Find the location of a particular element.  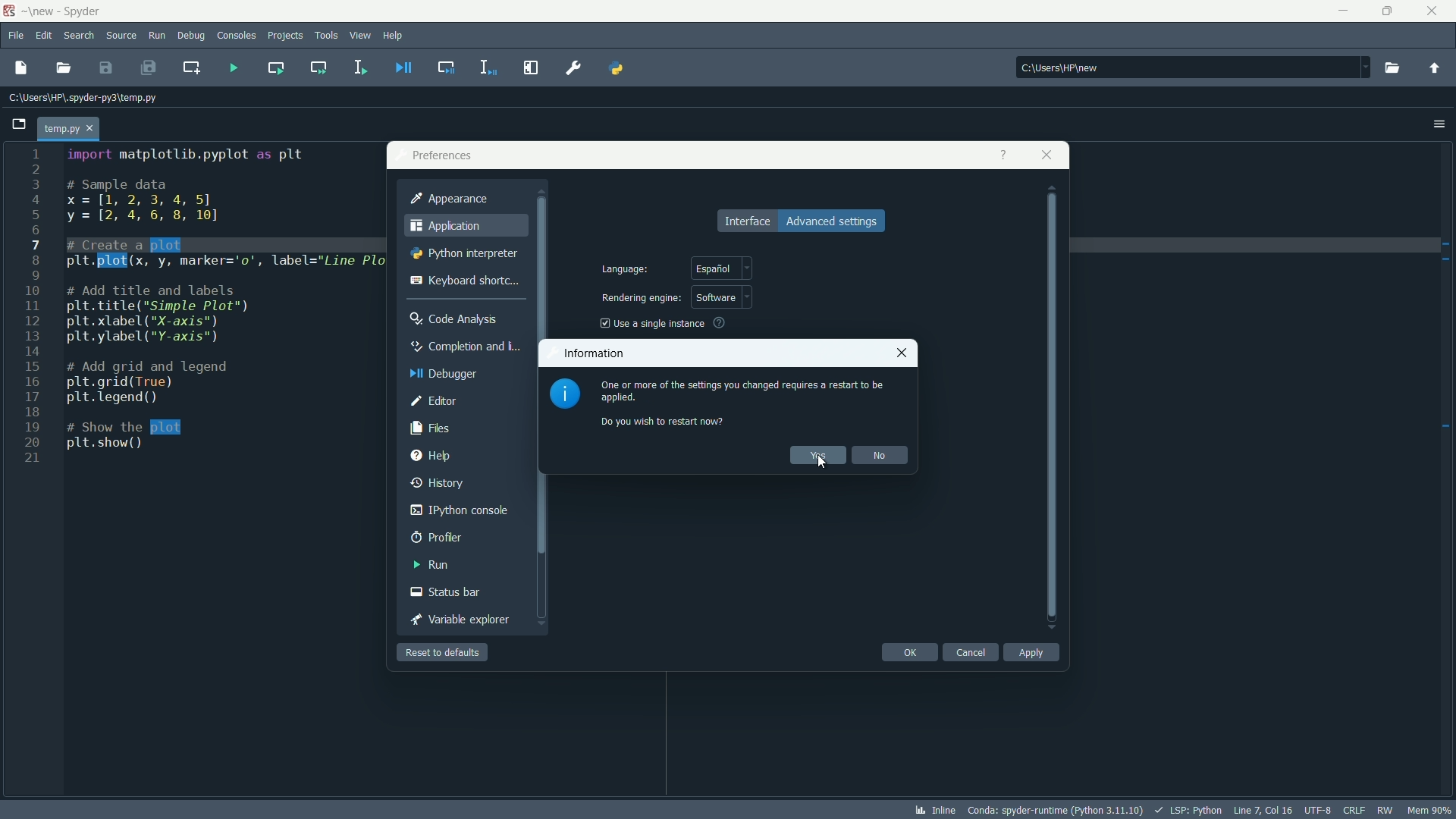

file eol status is located at coordinates (1354, 811).